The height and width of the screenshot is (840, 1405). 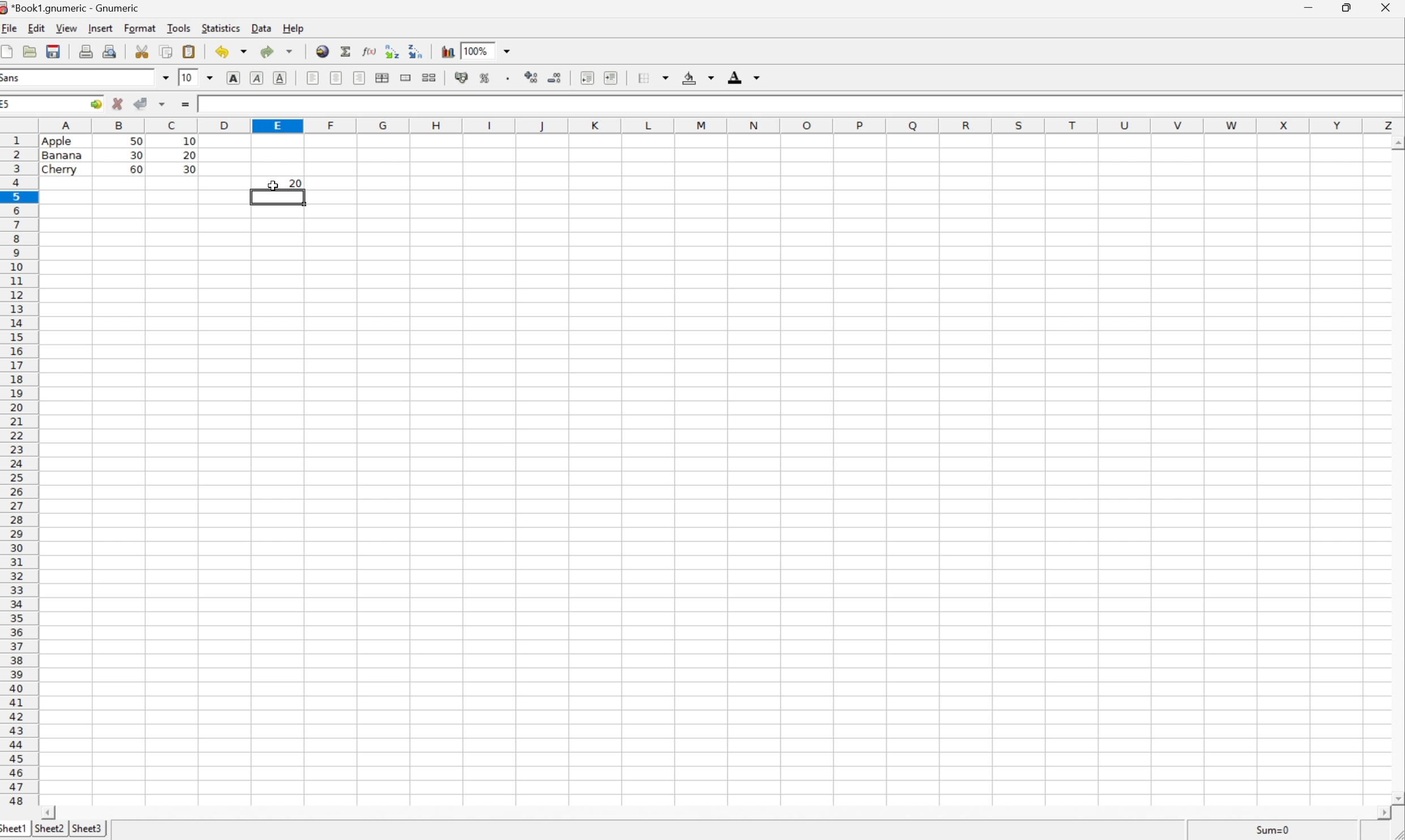 I want to click on foreground, so click(x=746, y=76).